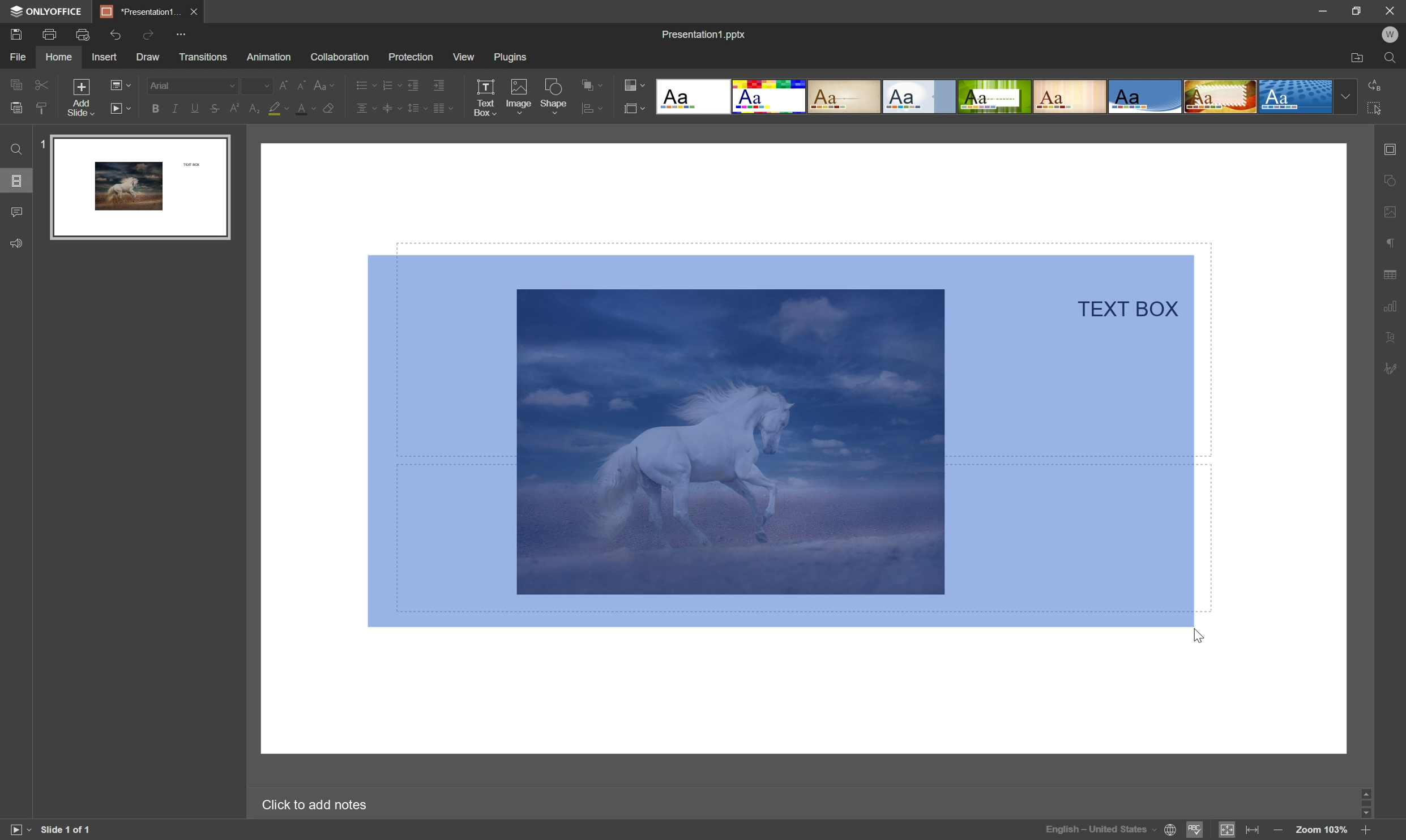 The image size is (1406, 840). Describe the element at coordinates (1358, 59) in the screenshot. I see `open file location` at that location.